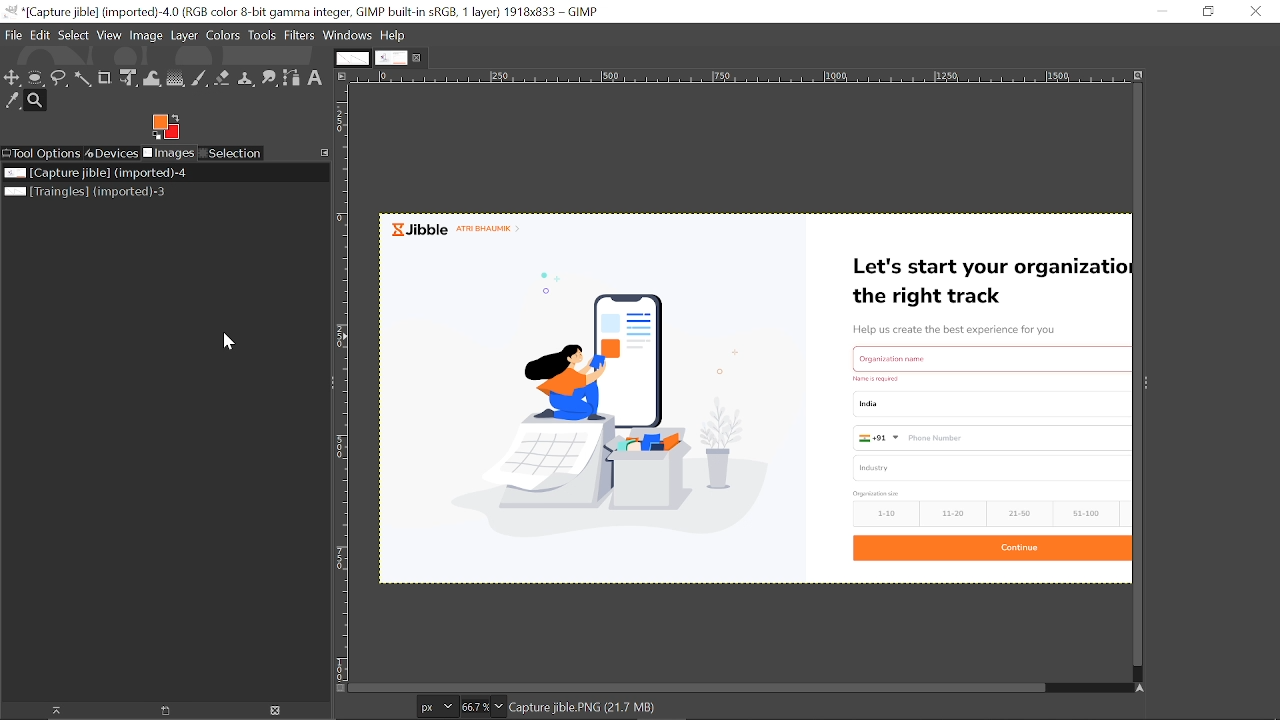  I want to click on Tools, so click(264, 36).